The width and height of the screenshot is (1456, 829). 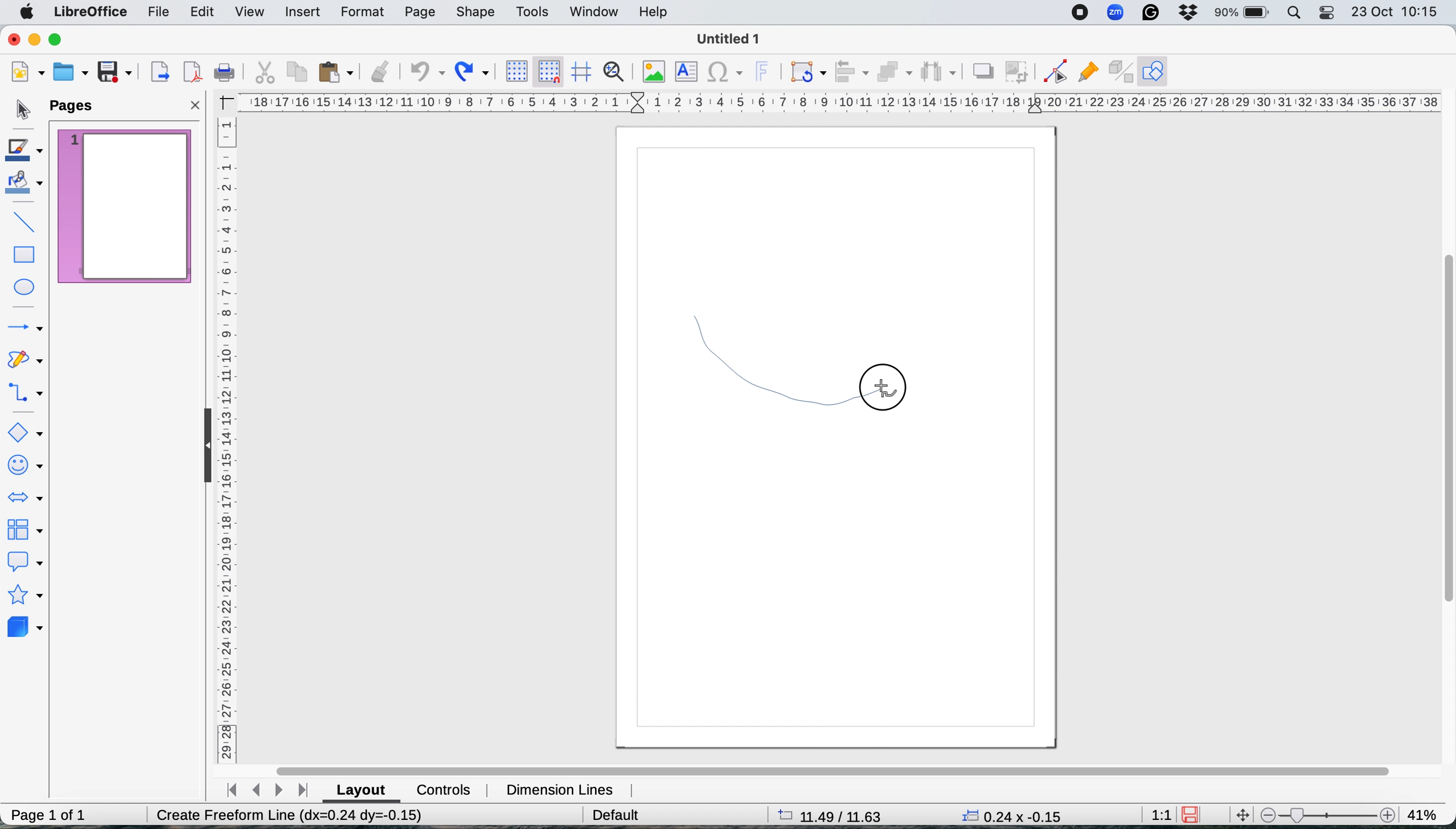 I want to click on layout, so click(x=360, y=791).